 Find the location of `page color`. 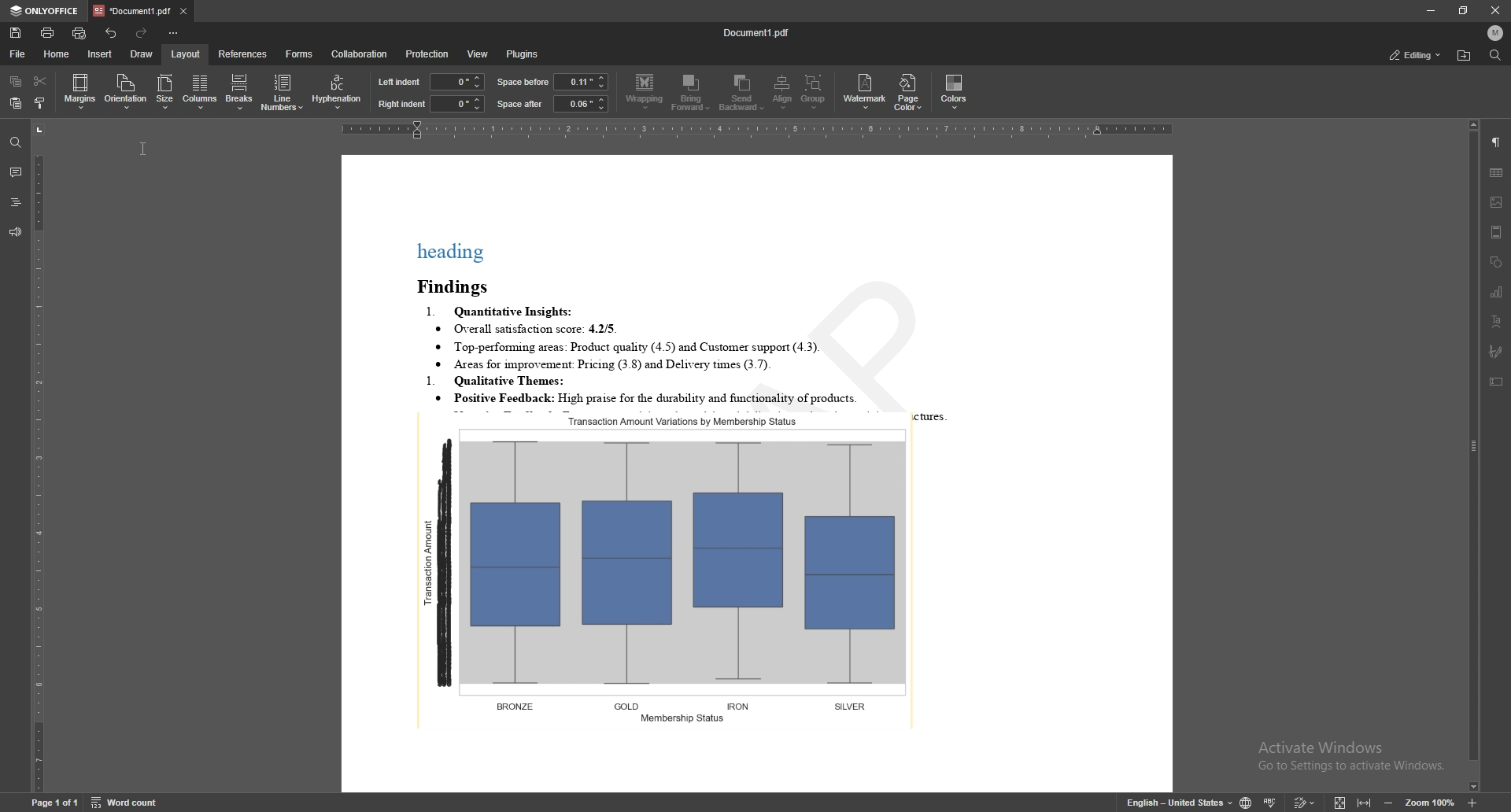

page color is located at coordinates (907, 93).